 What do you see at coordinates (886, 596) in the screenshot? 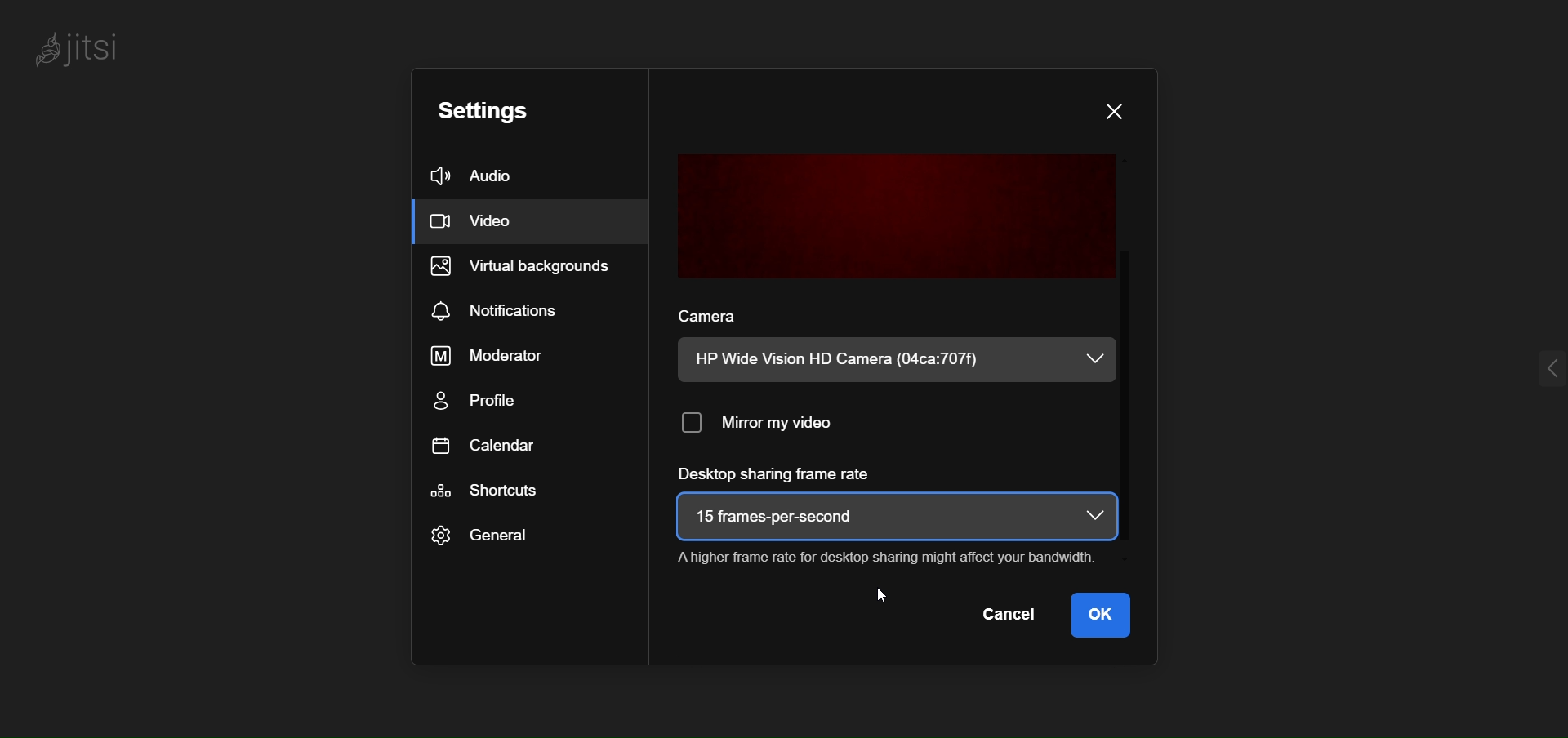
I see `cursor` at bounding box center [886, 596].